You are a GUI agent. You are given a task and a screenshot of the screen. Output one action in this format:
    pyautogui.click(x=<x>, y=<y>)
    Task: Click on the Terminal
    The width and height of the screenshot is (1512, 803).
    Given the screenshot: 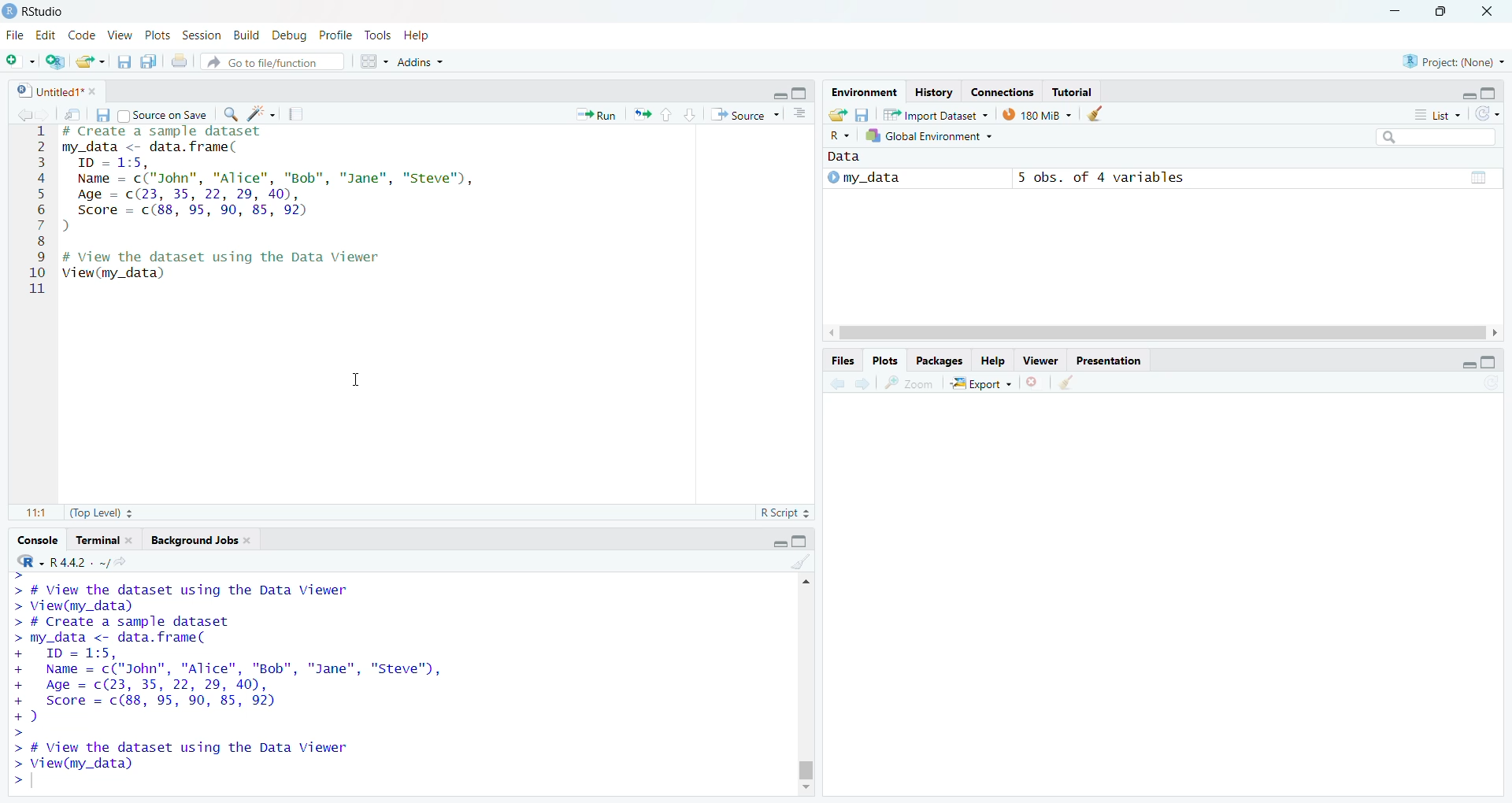 What is the action you would take?
    pyautogui.click(x=104, y=539)
    